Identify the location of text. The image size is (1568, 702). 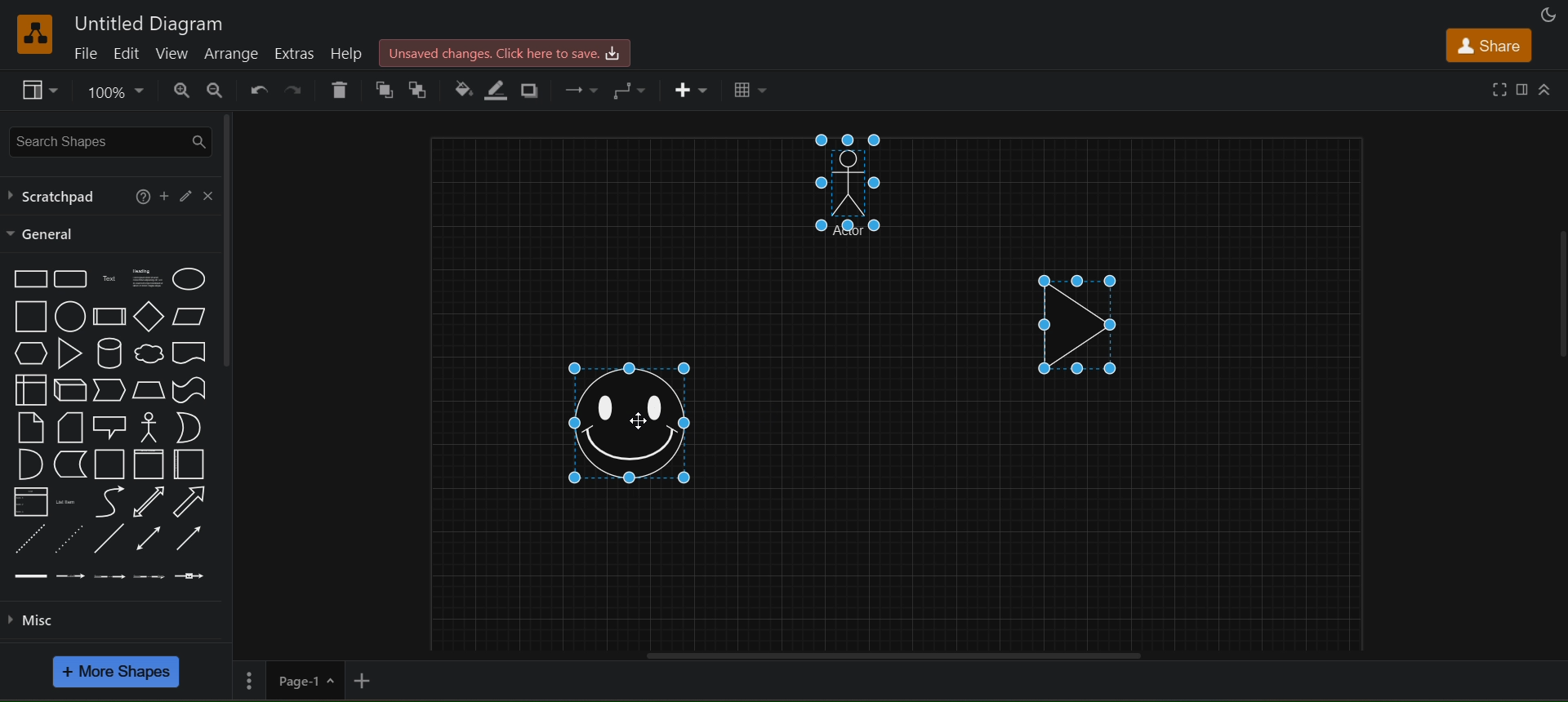
(107, 280).